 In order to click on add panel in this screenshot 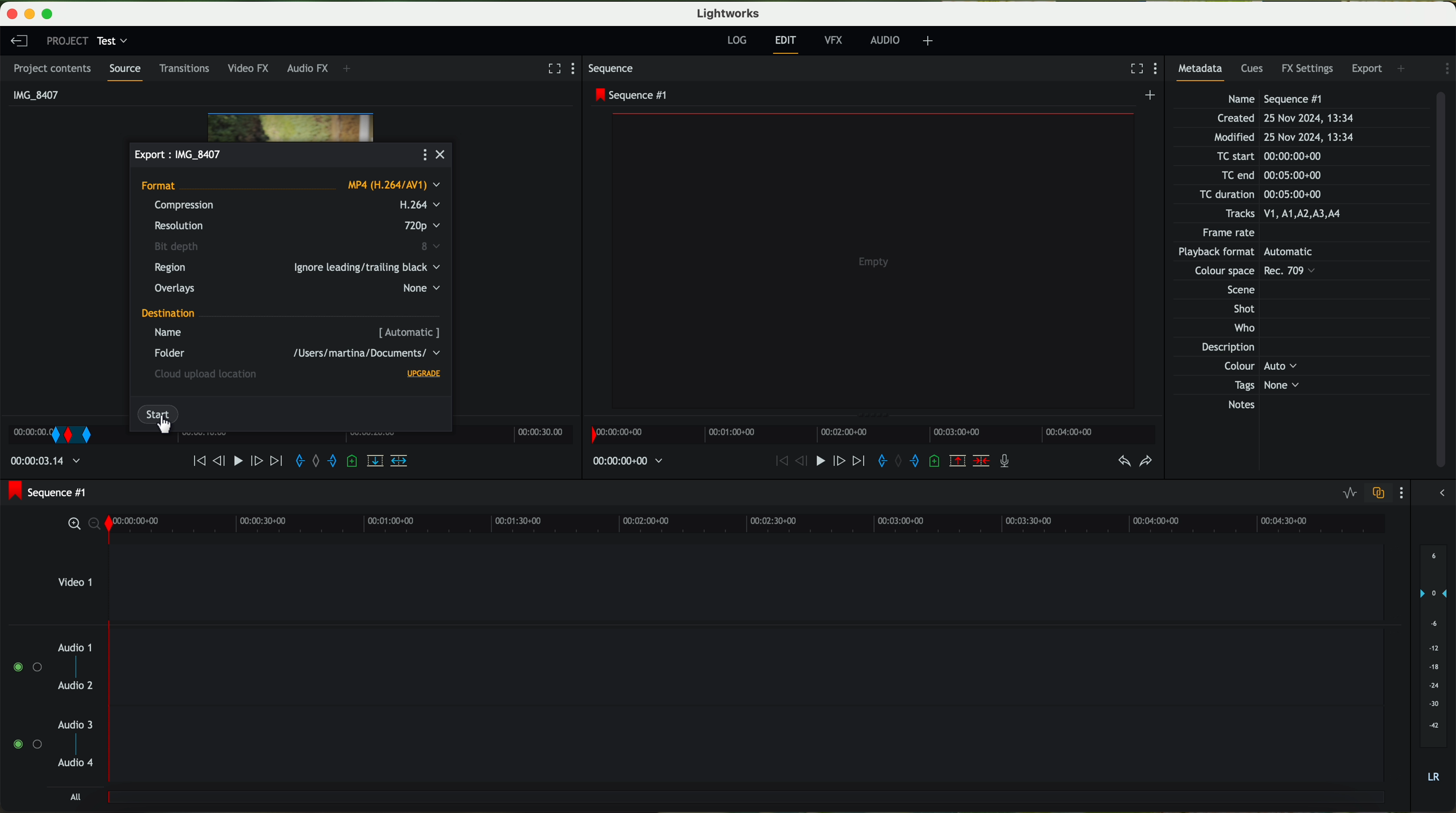, I will do `click(1403, 67)`.